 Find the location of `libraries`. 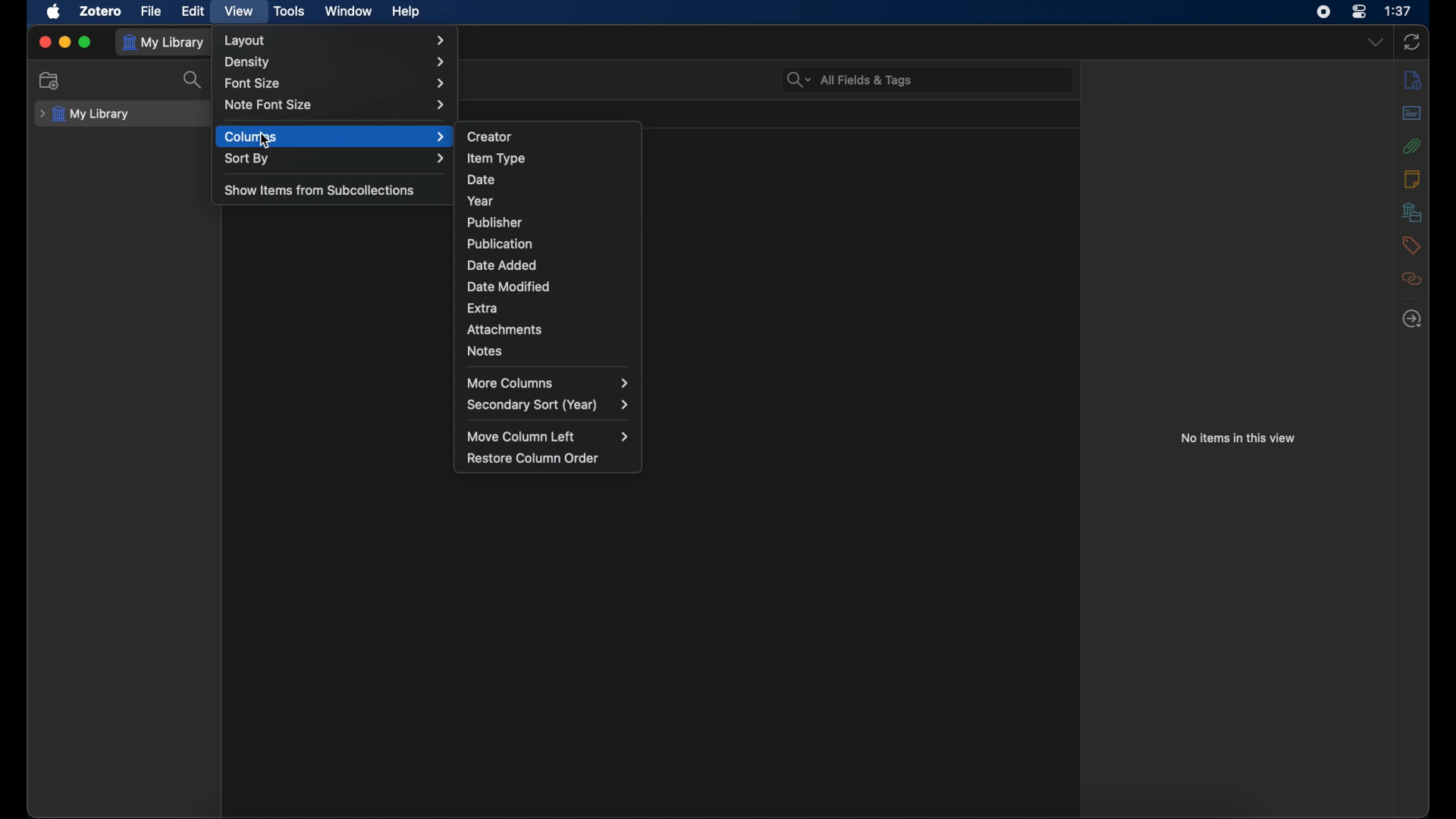

libraries is located at coordinates (1410, 212).